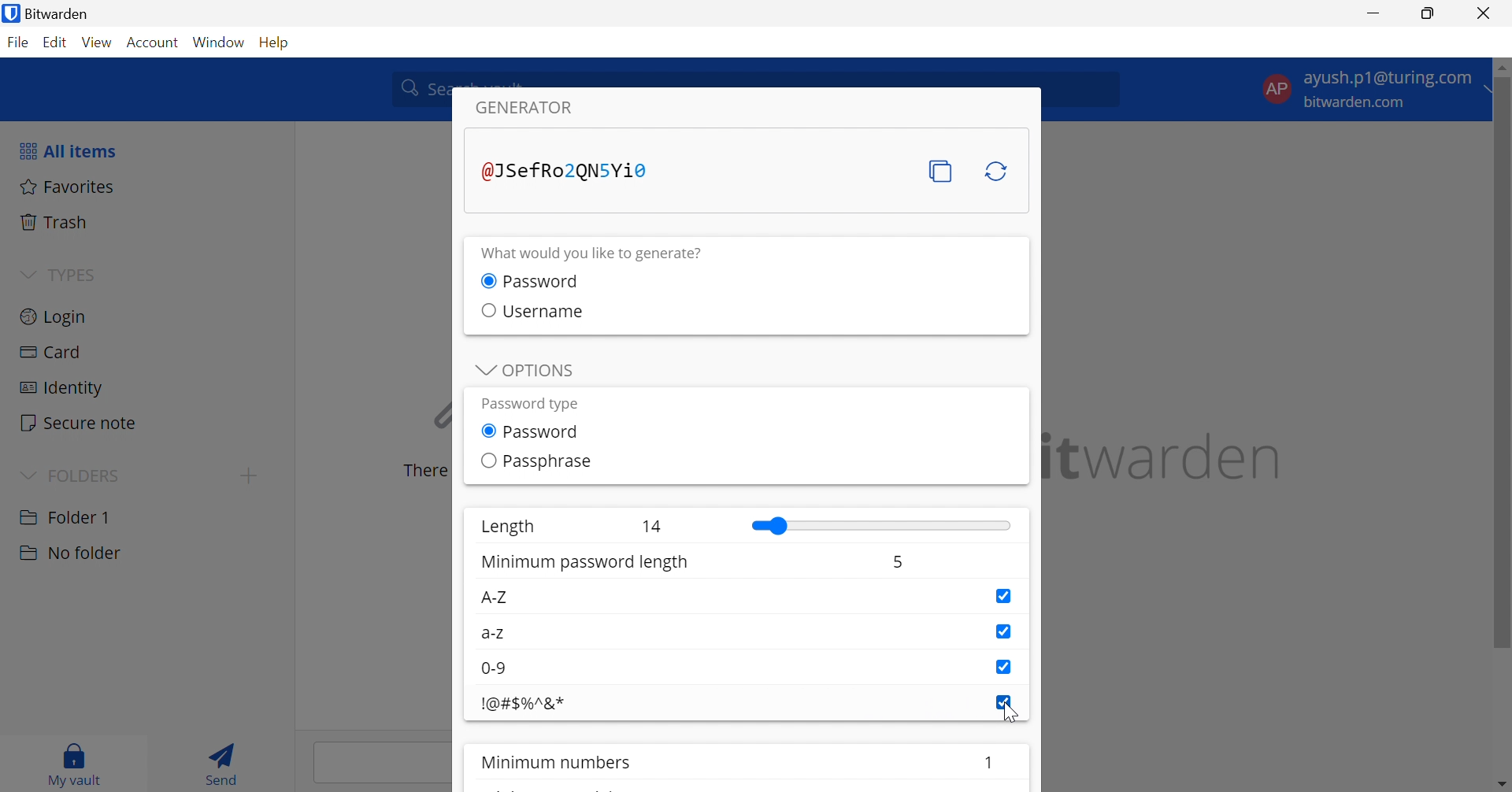  What do you see at coordinates (17, 43) in the screenshot?
I see `File` at bounding box center [17, 43].